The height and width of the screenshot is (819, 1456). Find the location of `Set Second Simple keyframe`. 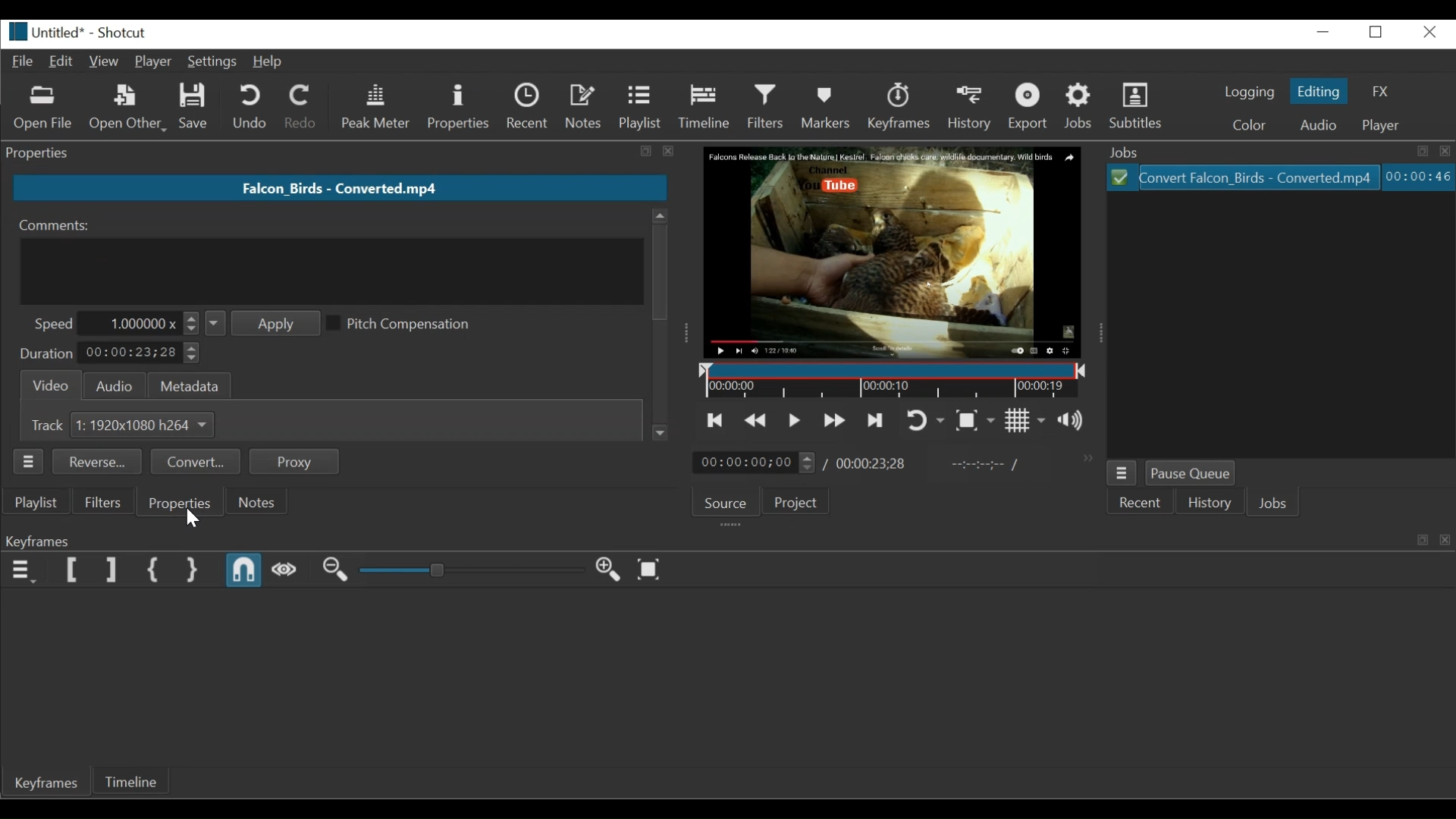

Set Second Simple keyframe is located at coordinates (193, 570).